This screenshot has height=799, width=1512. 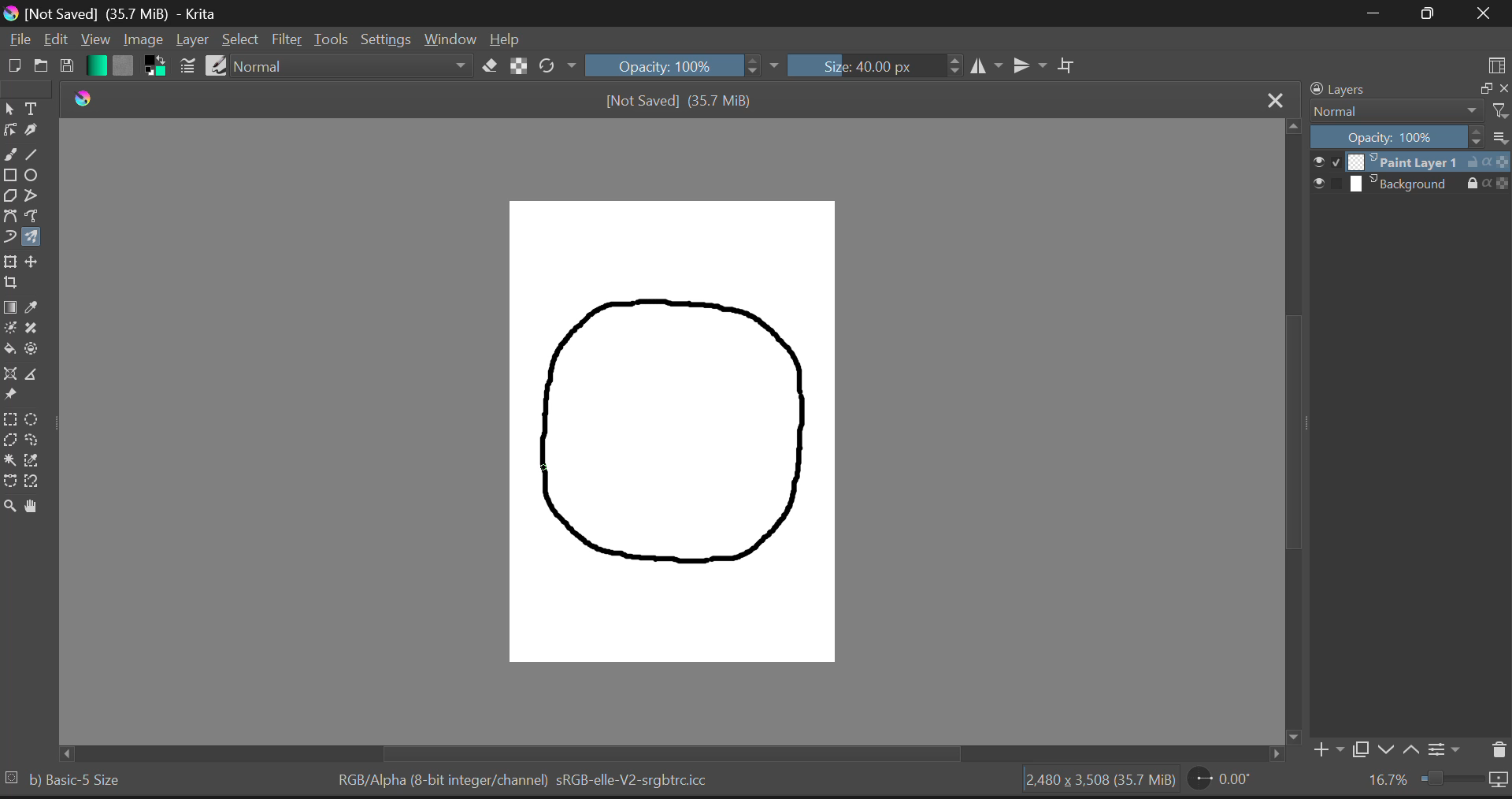 What do you see at coordinates (1497, 67) in the screenshot?
I see `Choose Workspace` at bounding box center [1497, 67].